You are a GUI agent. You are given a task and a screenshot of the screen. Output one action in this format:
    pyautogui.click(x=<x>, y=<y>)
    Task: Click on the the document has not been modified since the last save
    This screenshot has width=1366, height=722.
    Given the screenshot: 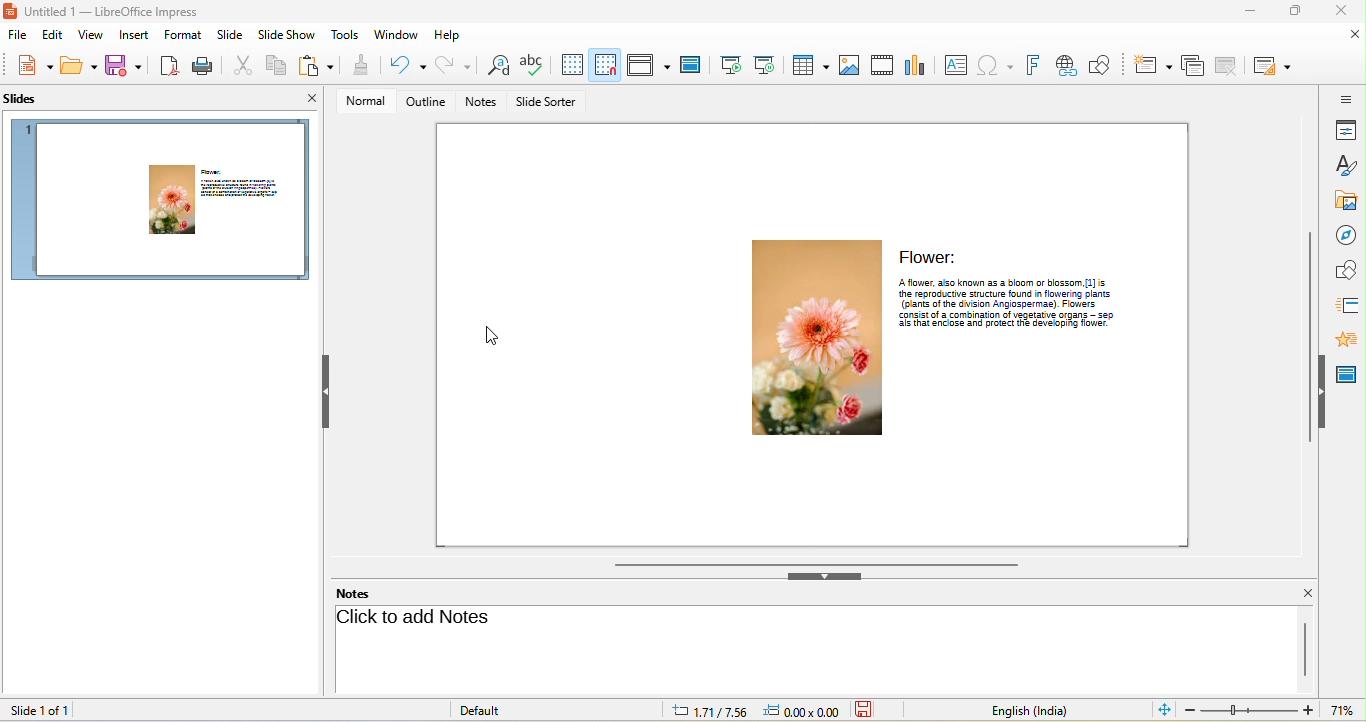 What is the action you would take?
    pyautogui.click(x=874, y=710)
    